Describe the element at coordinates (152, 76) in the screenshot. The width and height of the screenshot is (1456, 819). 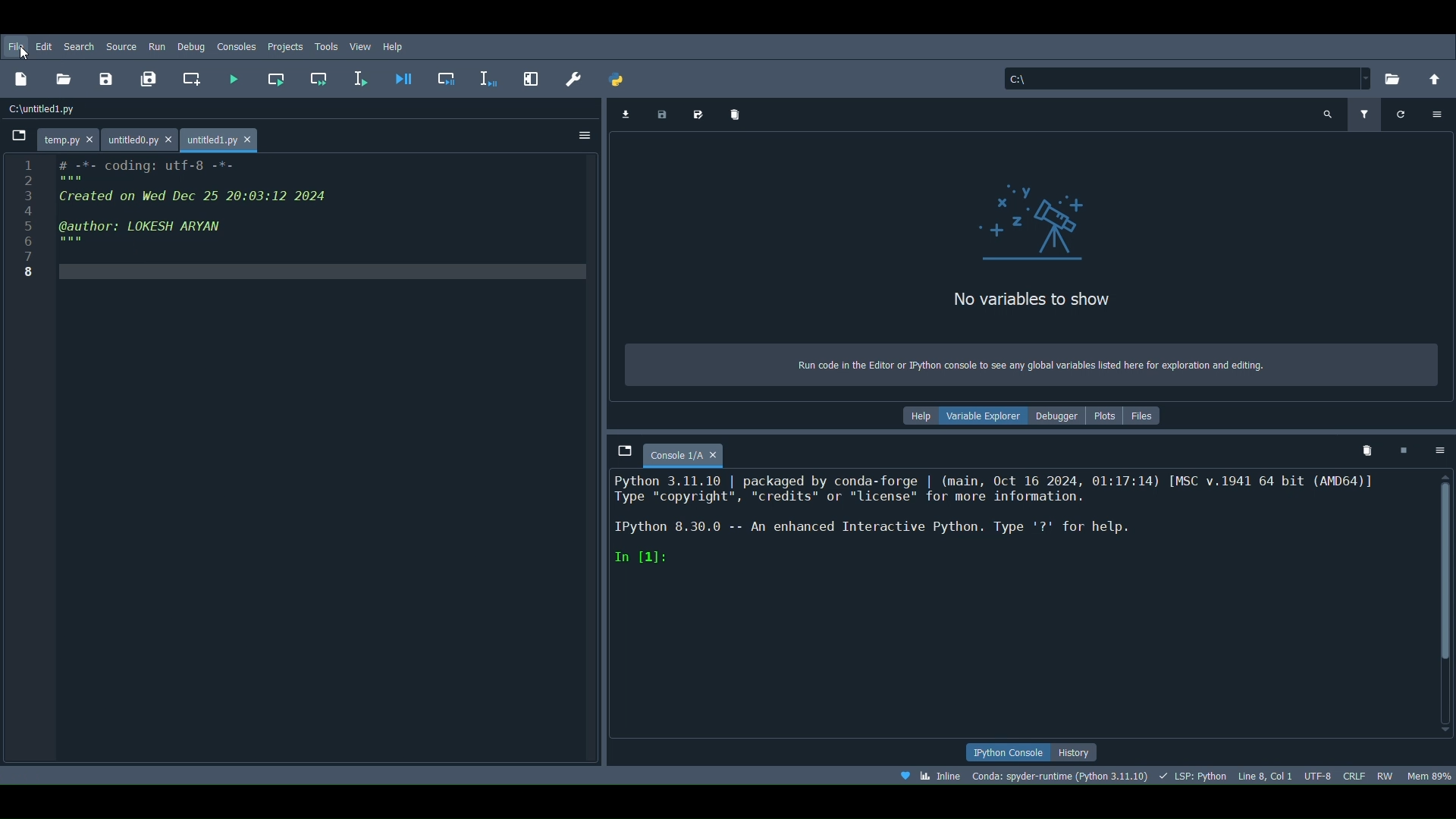
I see `Save all files (Ctrl + Alt + S)` at that location.